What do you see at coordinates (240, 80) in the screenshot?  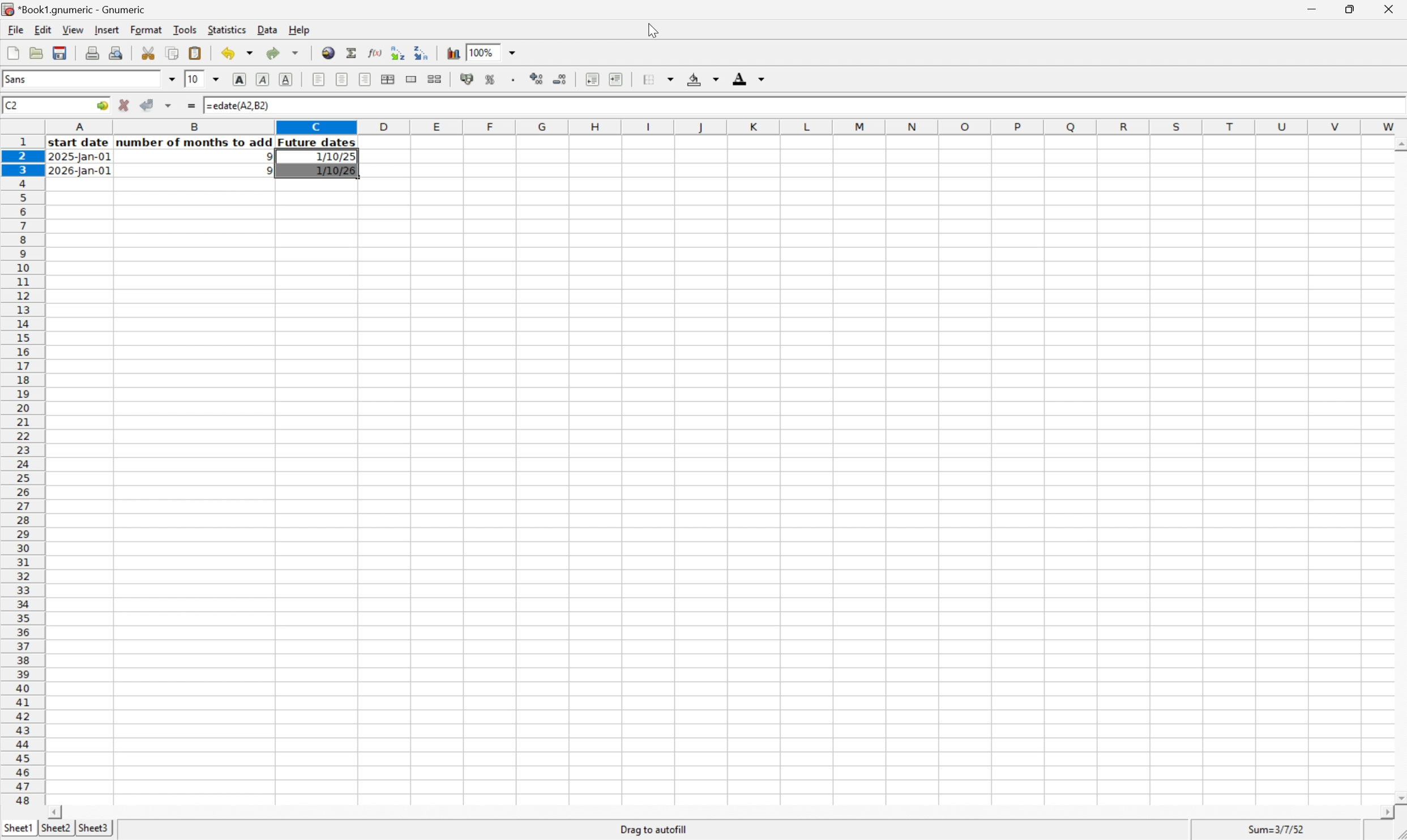 I see `Bold` at bounding box center [240, 80].